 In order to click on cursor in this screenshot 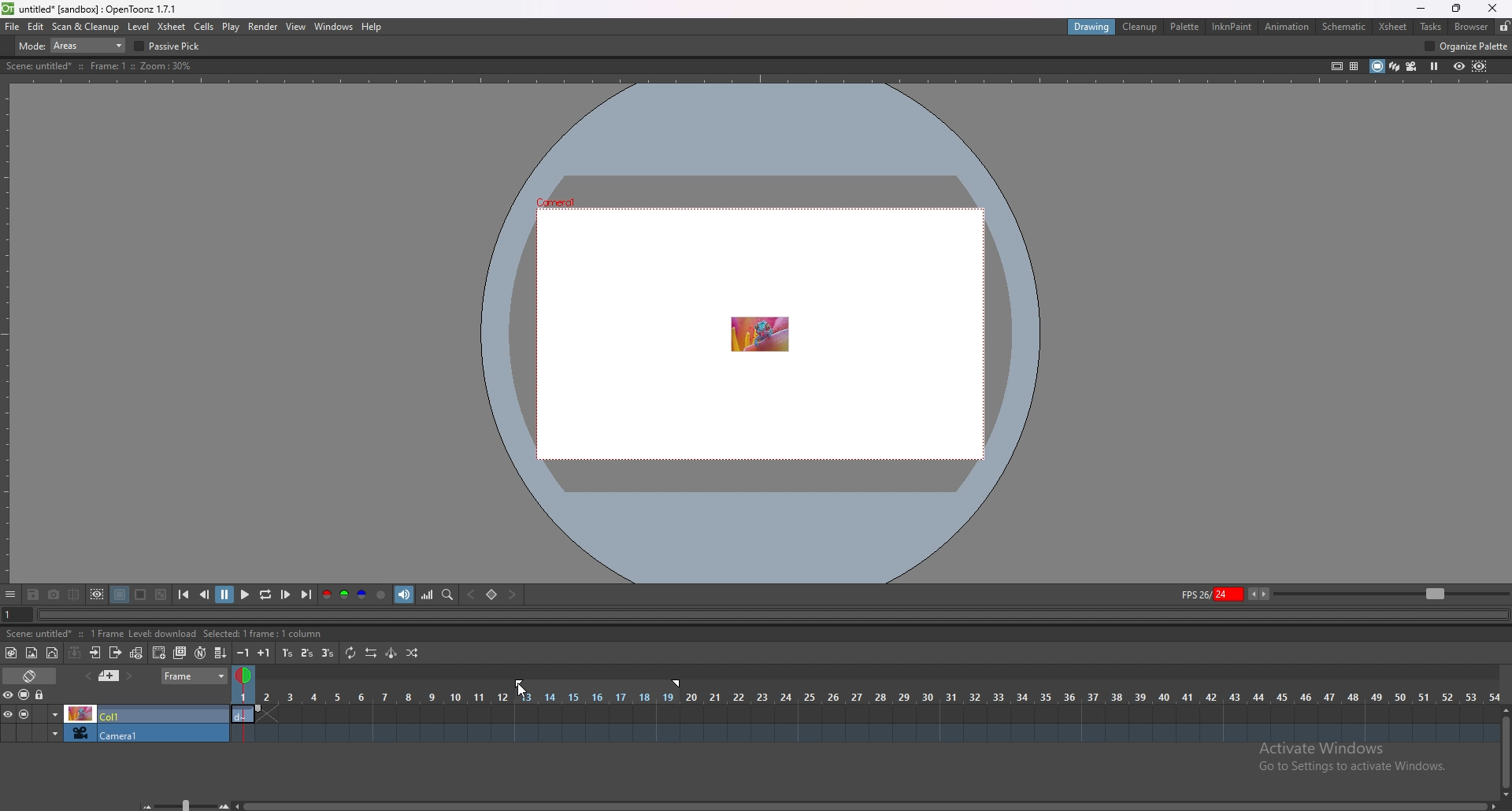, I will do `click(517, 692)`.